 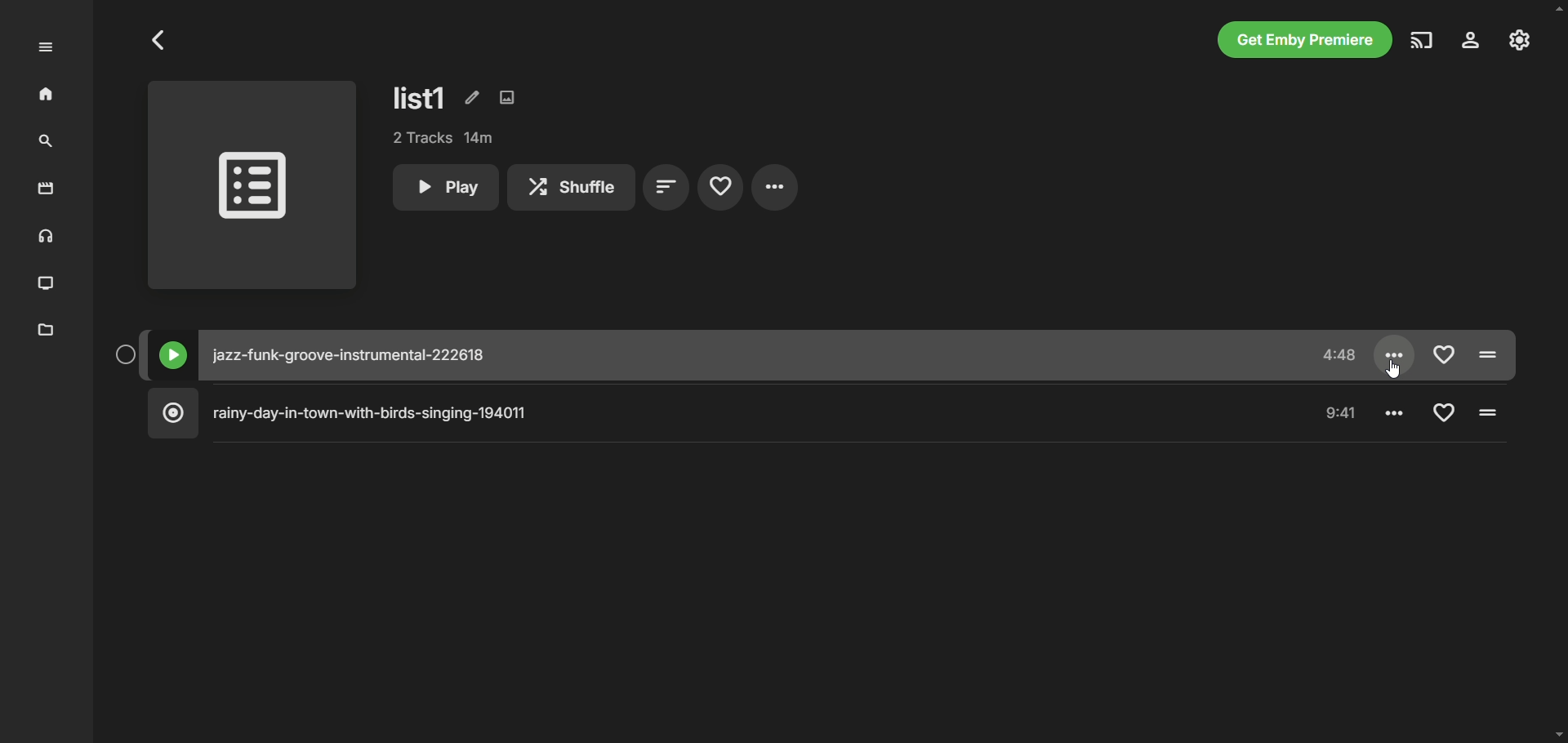 What do you see at coordinates (421, 97) in the screenshot?
I see `list` at bounding box center [421, 97].